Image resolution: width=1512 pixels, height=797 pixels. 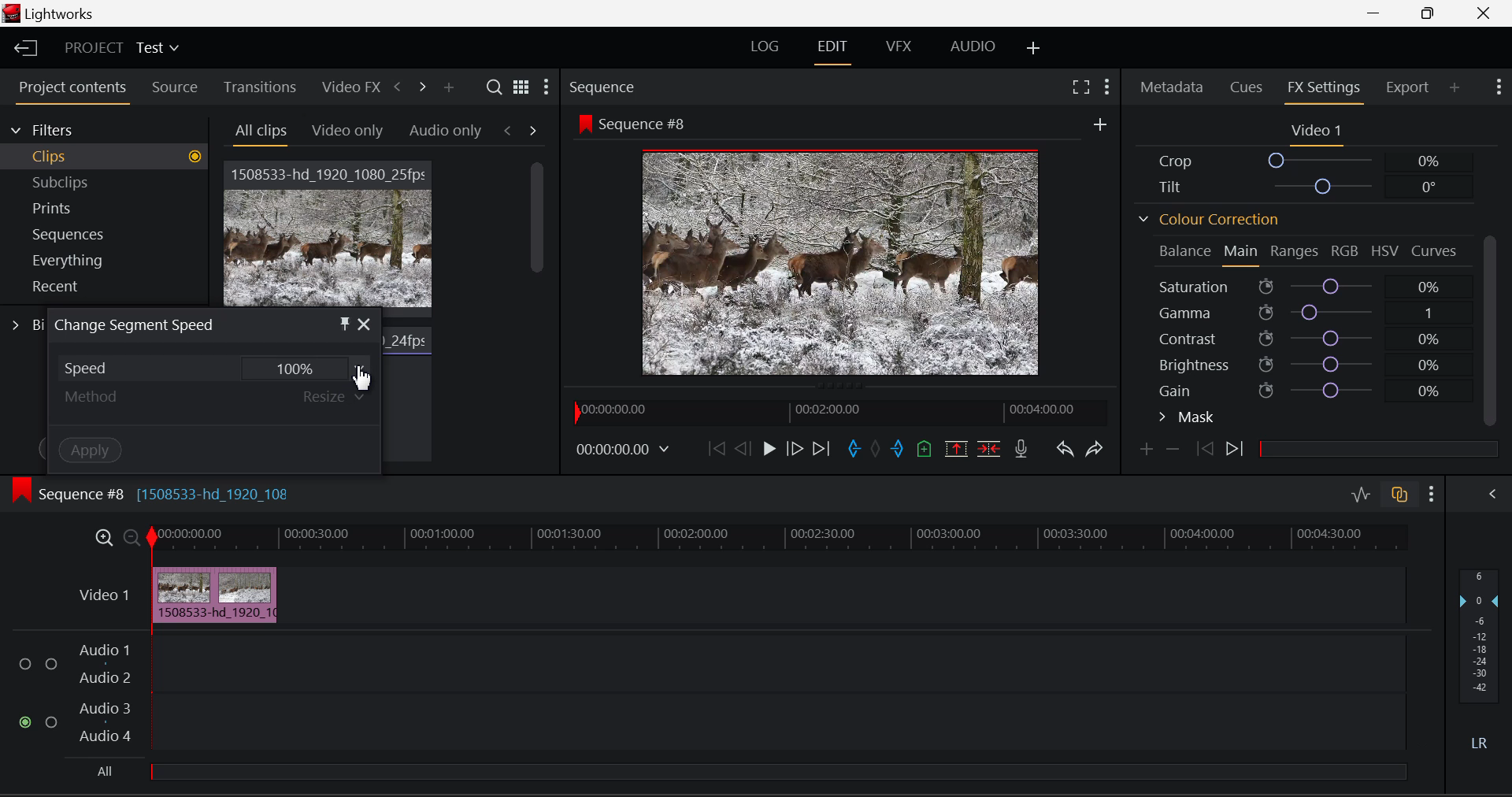 I want to click on Audio 3, so click(x=106, y=710).